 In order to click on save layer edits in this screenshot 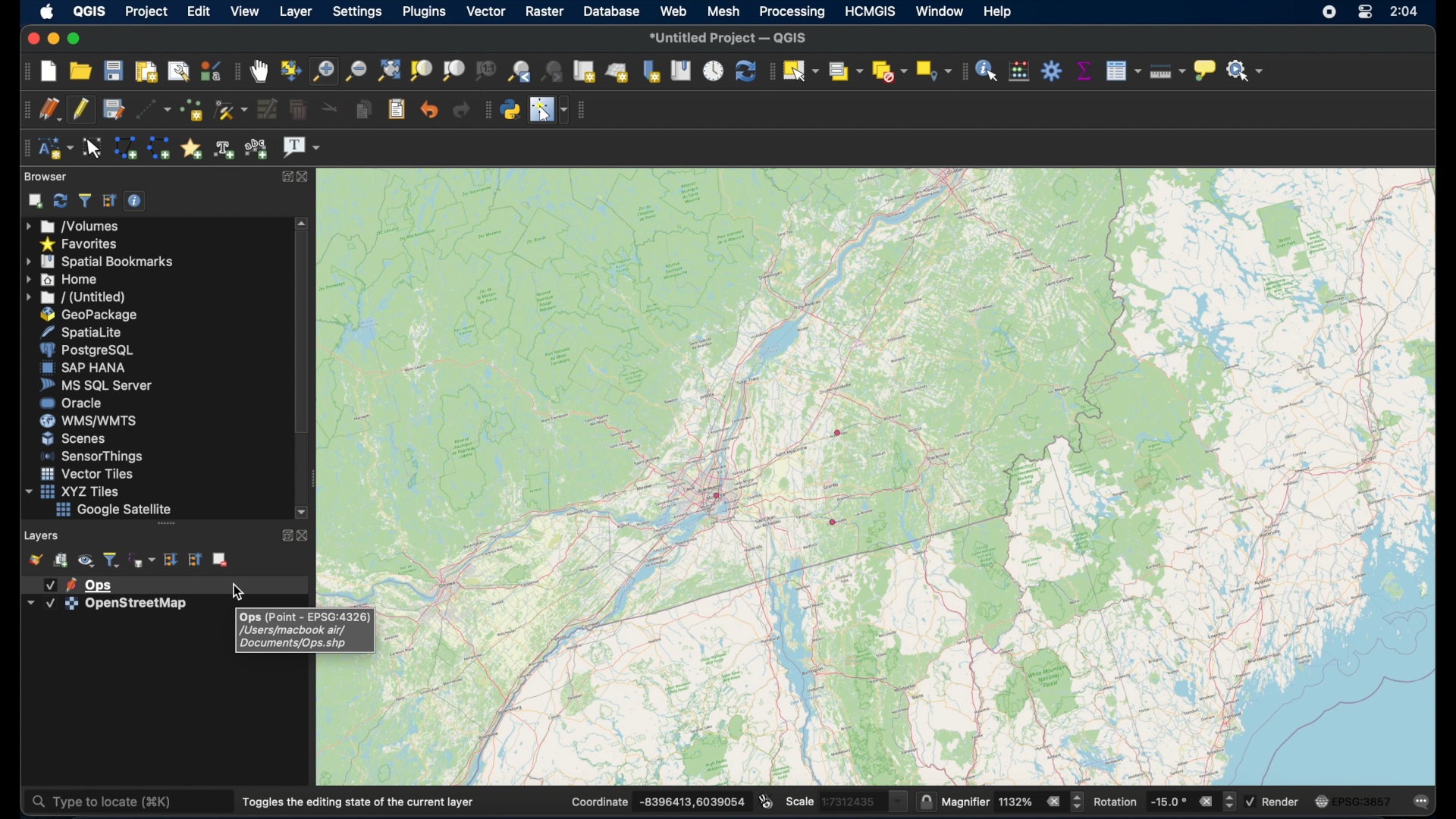, I will do `click(112, 110)`.